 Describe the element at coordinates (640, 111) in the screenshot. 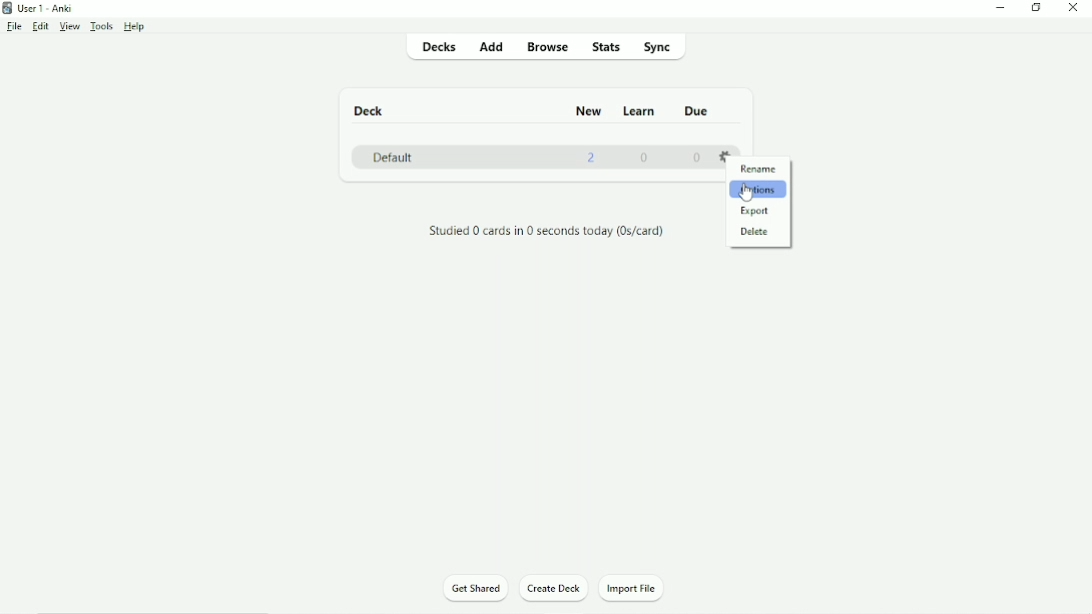

I see `Learn` at that location.